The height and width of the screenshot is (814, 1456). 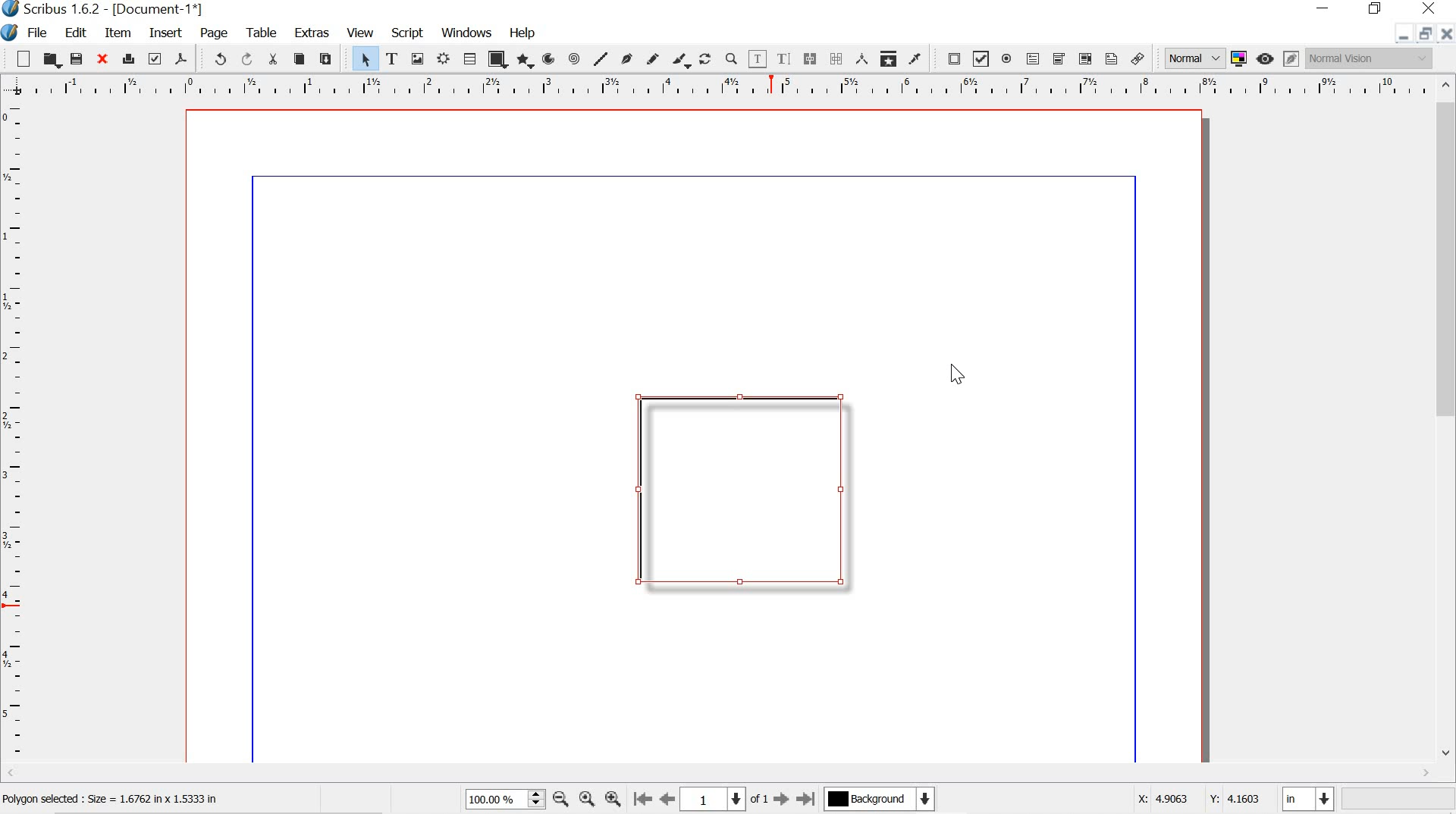 I want to click on zoom to, so click(x=589, y=800).